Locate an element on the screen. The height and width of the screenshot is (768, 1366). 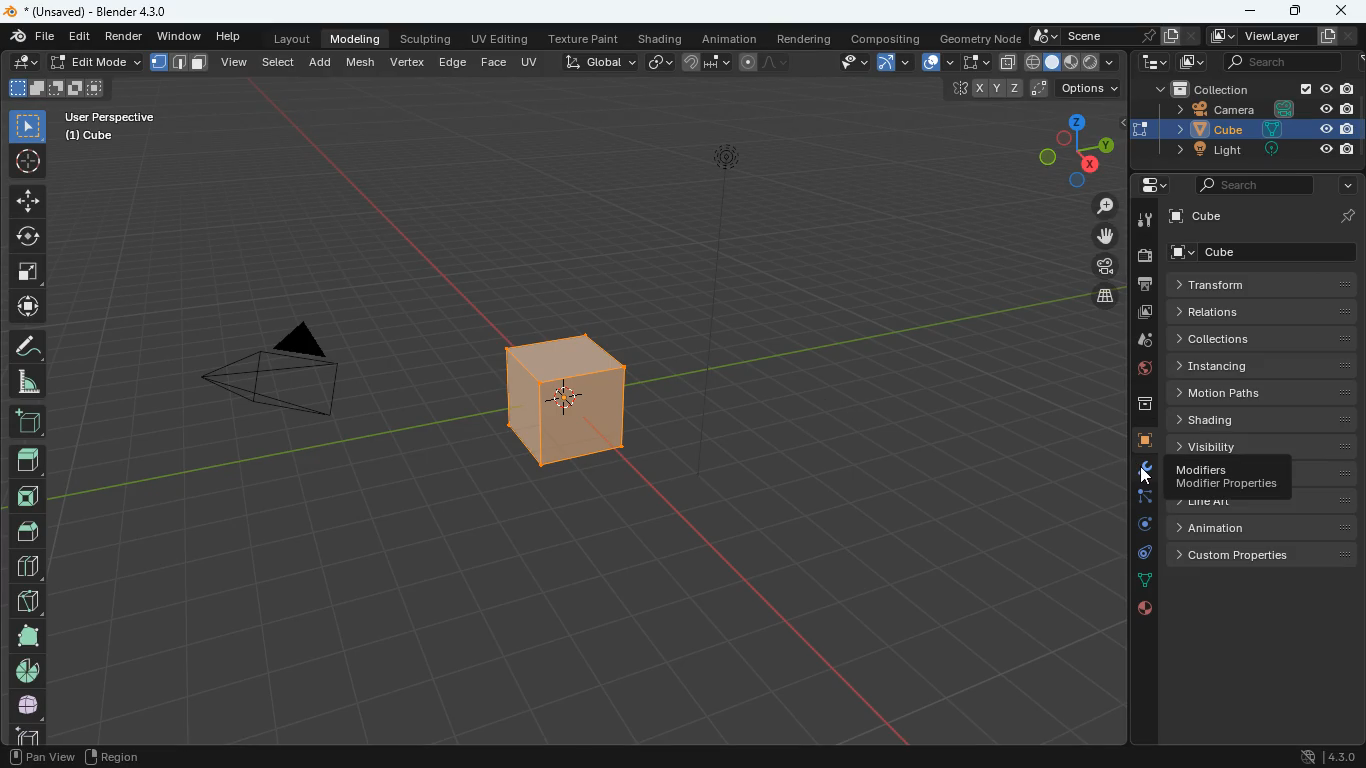
arc is located at coordinates (892, 64).